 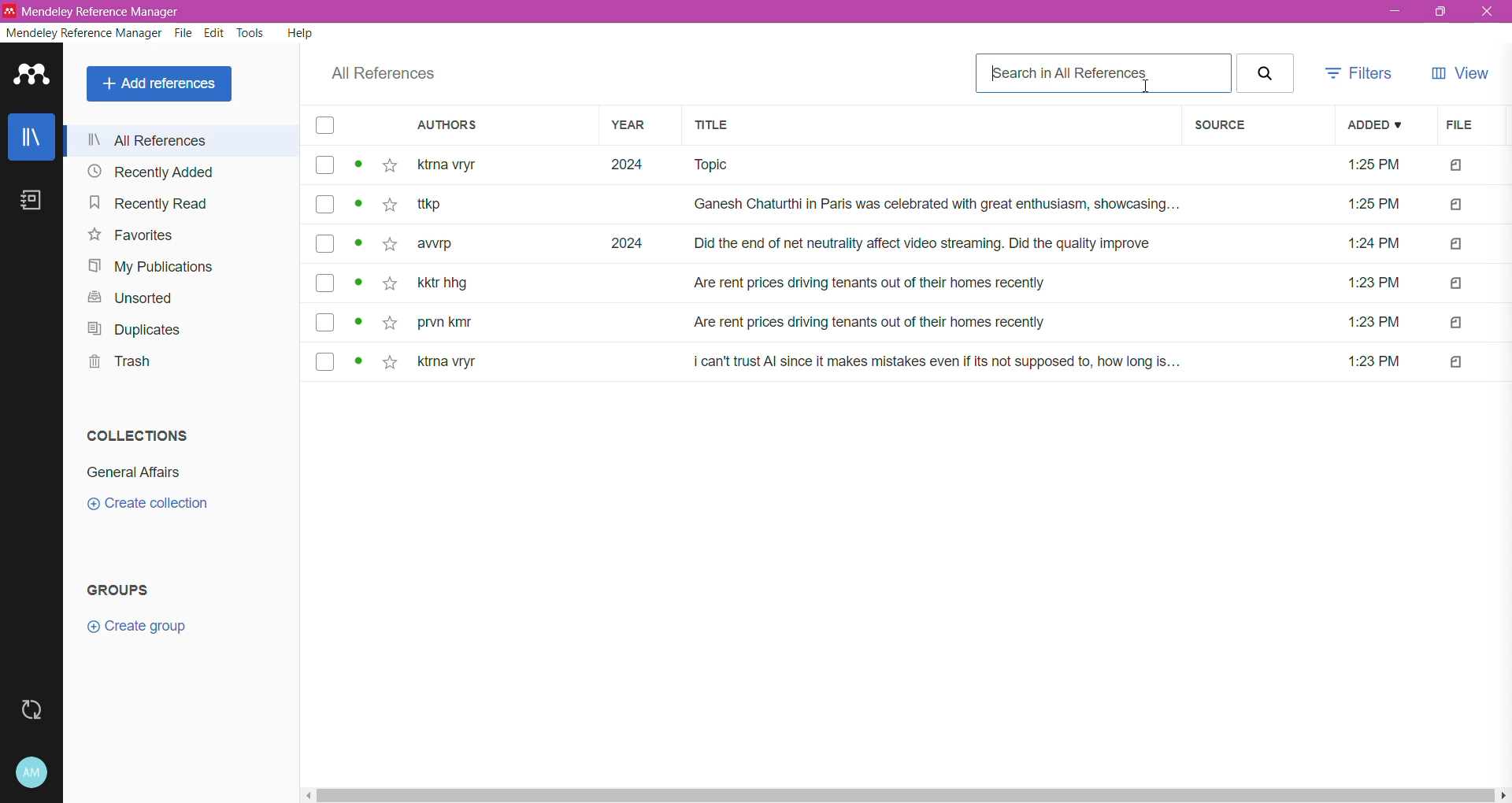 I want to click on ¢  Kktrhhg Are rent prices driving tenants out of their homes recently 1:23 PM, so click(x=915, y=284).